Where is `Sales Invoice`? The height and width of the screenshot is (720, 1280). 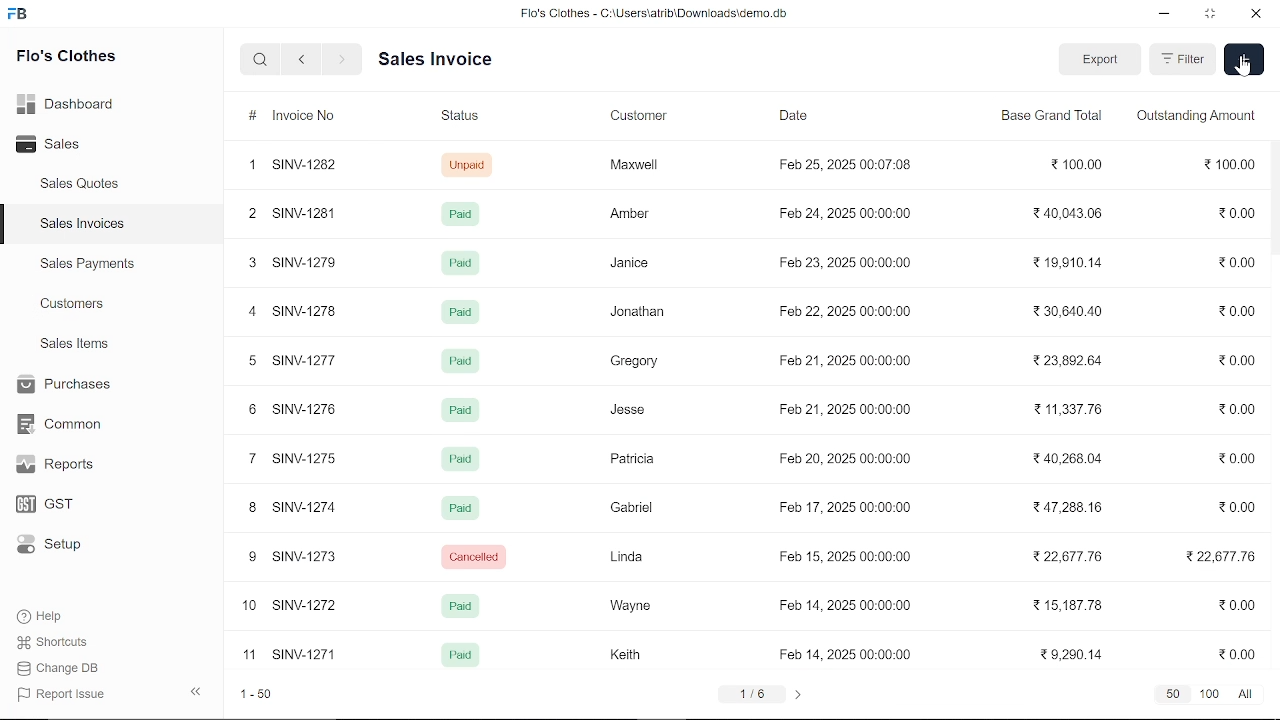
Sales Invoice is located at coordinates (450, 59).